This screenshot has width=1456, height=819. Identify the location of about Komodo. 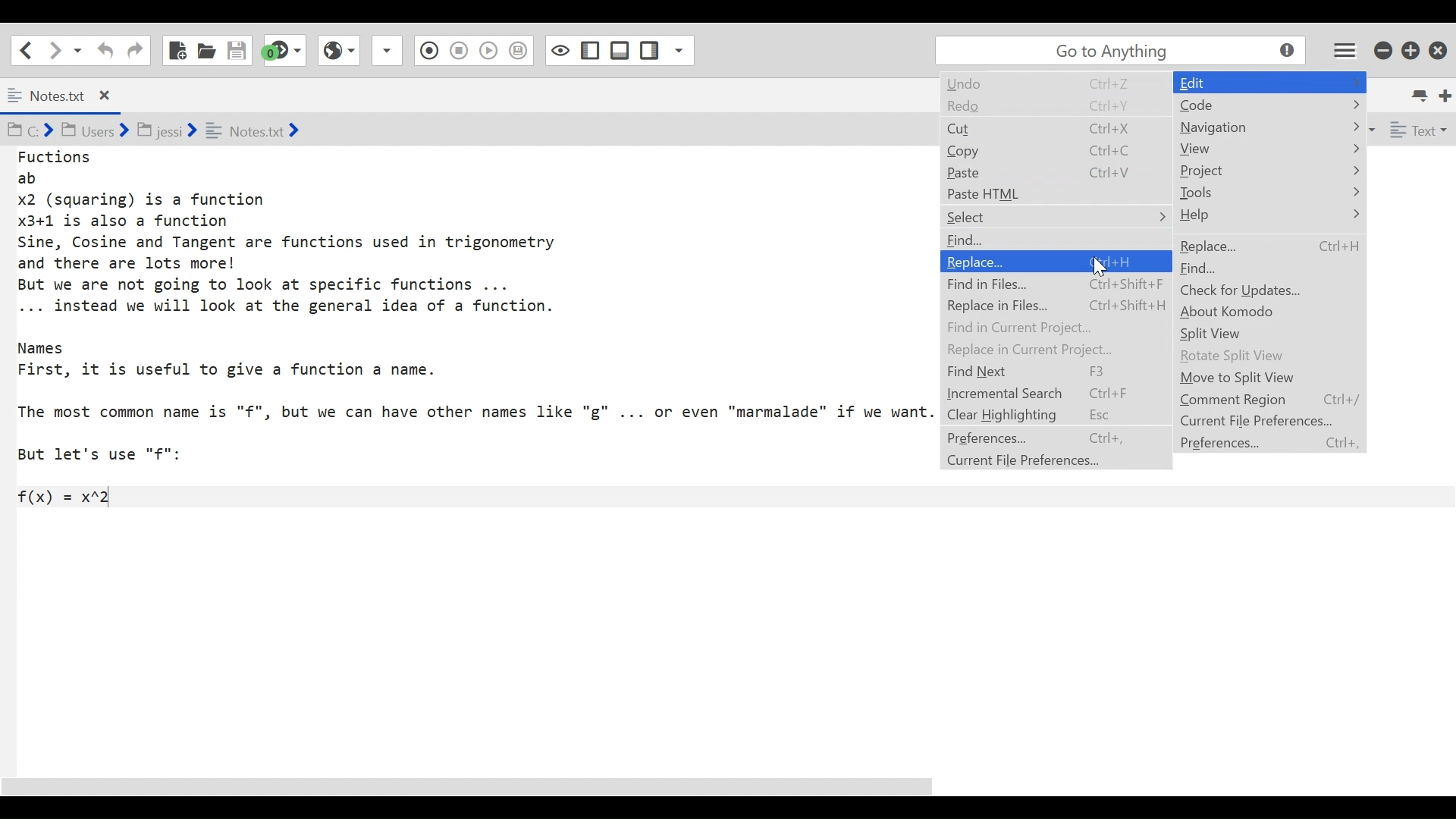
(1245, 312).